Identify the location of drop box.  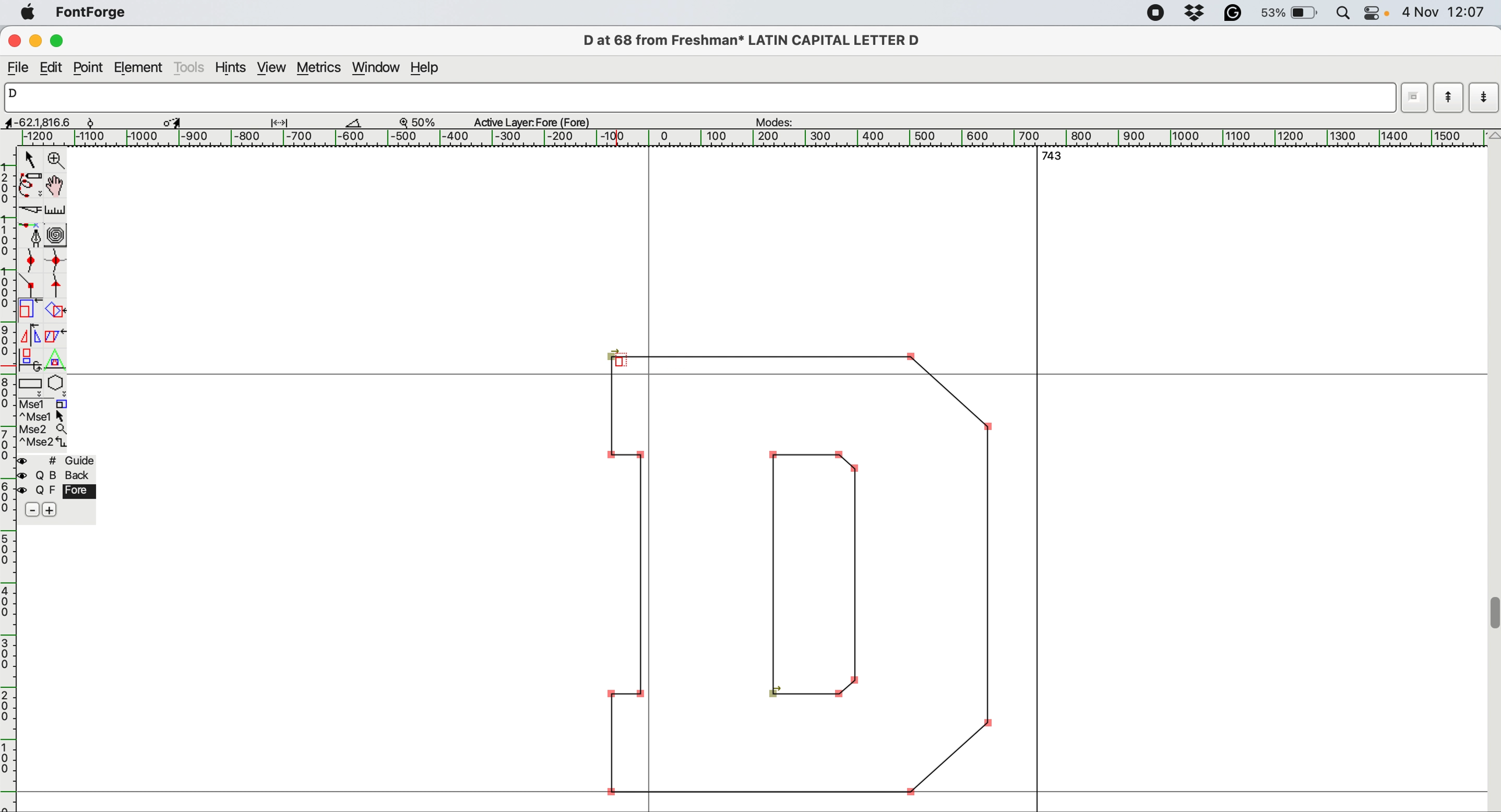
(1199, 15).